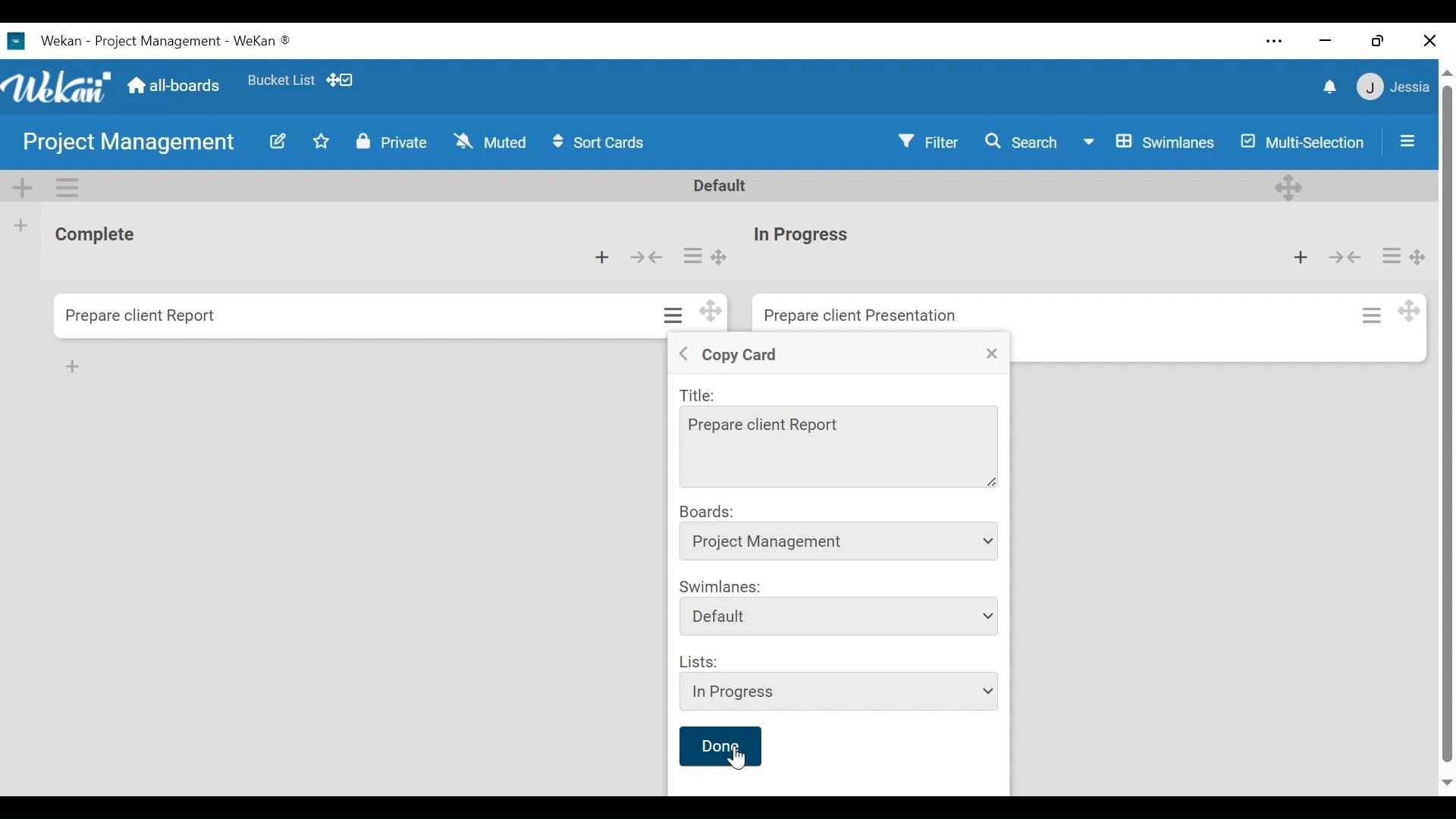  I want to click on Board View, so click(1149, 141).